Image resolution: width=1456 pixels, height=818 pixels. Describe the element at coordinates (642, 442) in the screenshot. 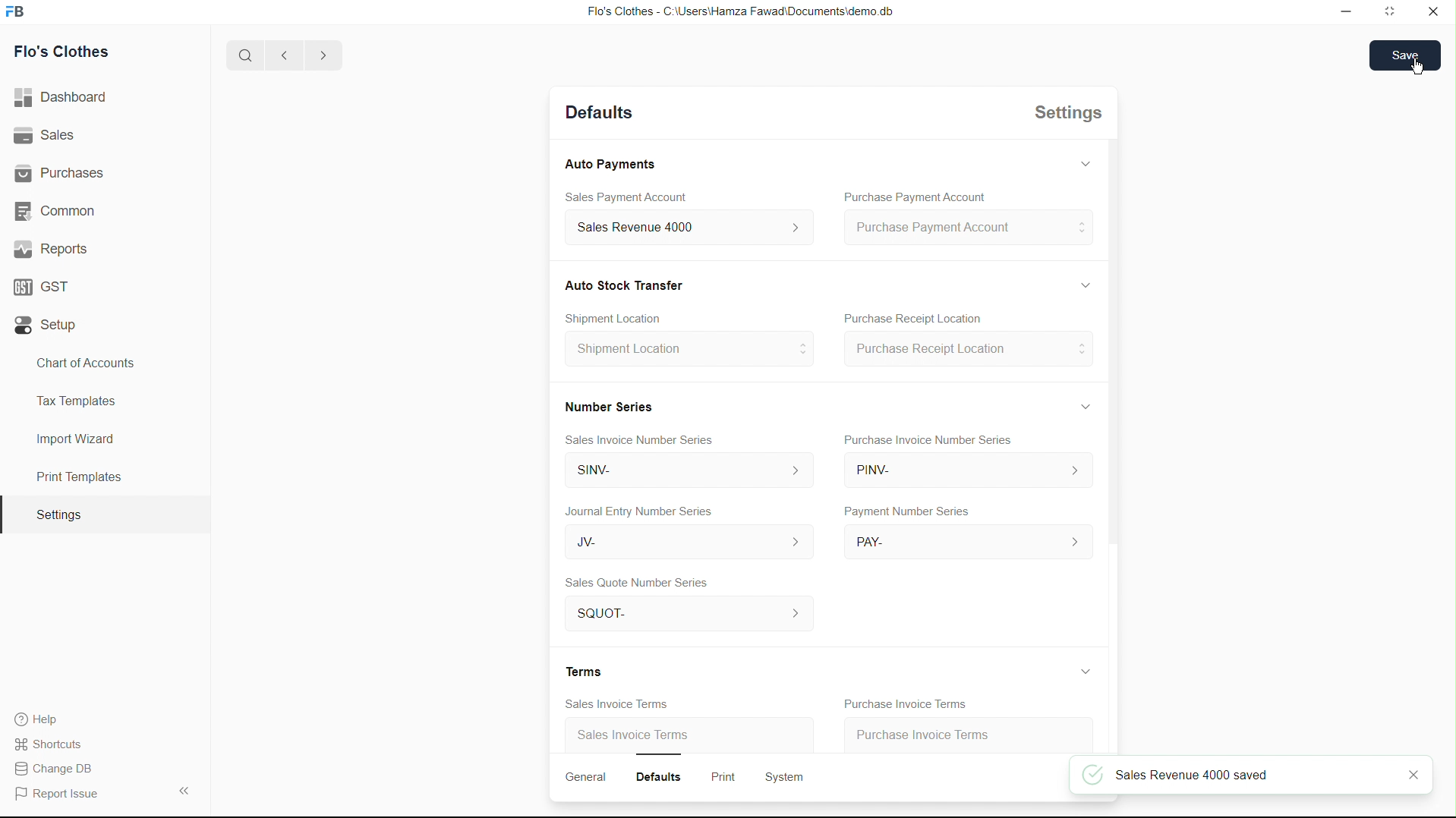

I see `Sales Invoice Number Series` at that location.